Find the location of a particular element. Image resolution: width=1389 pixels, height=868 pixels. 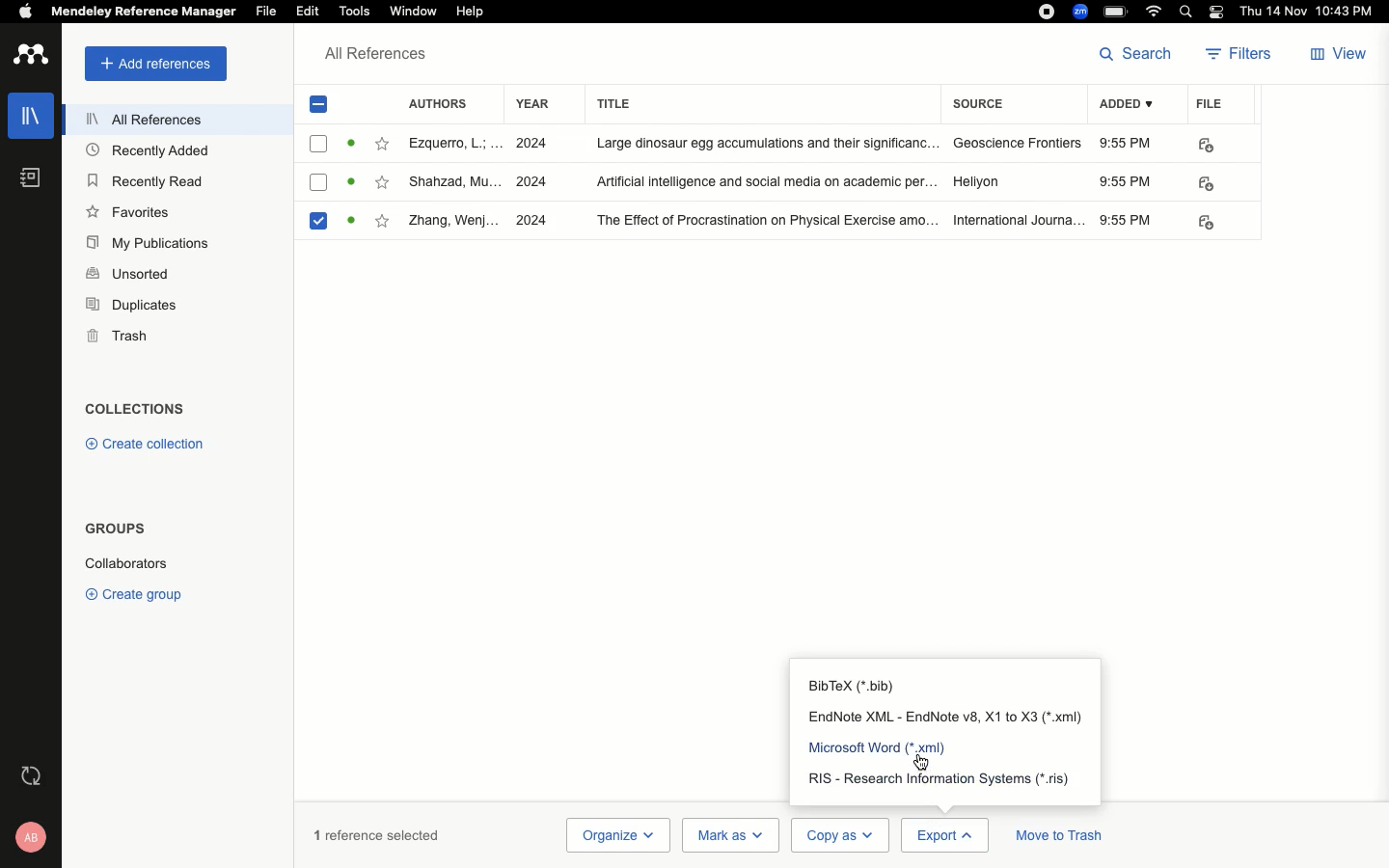

Recording is located at coordinates (1048, 10).